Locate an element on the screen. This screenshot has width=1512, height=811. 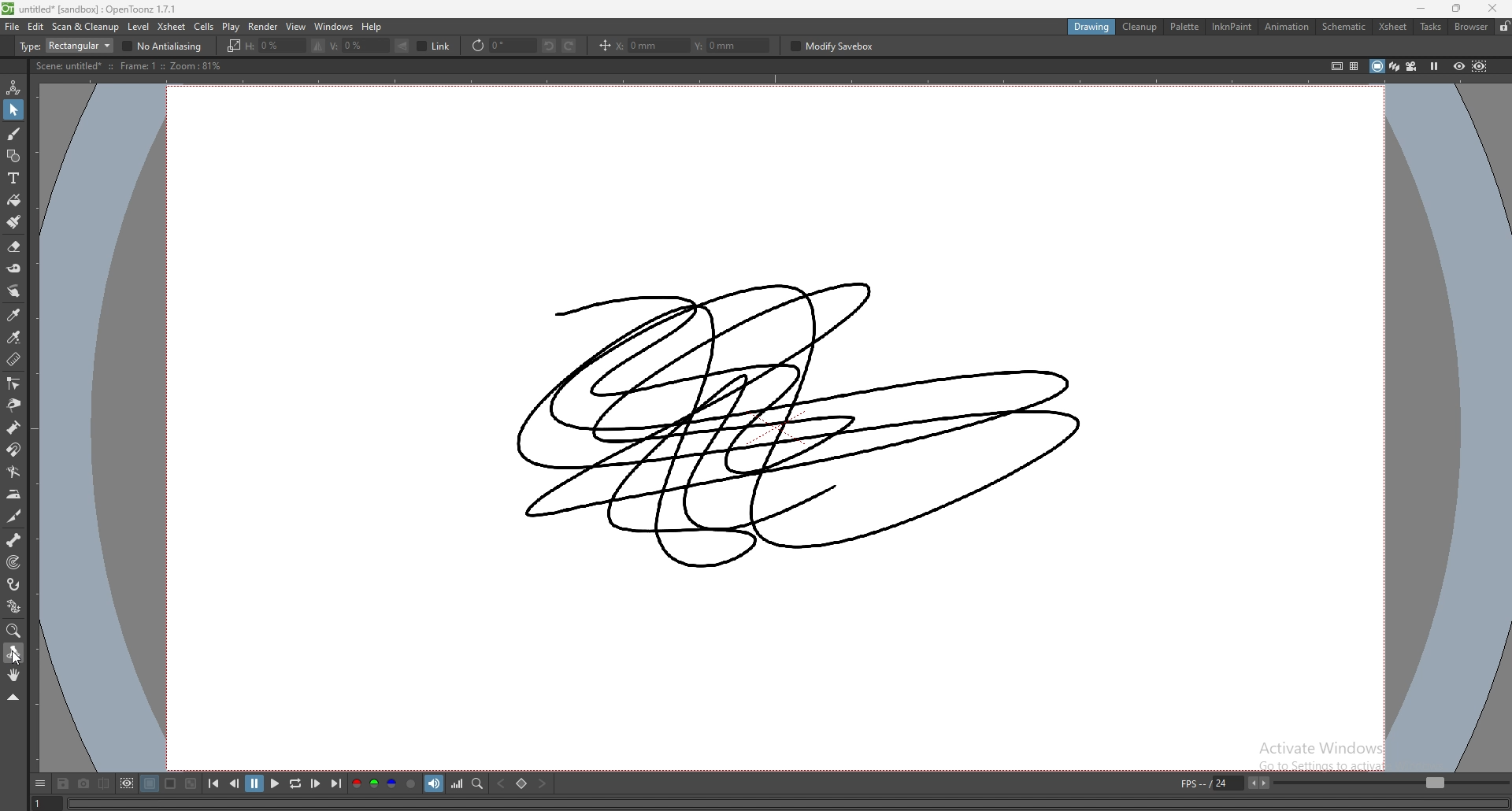
file is located at coordinates (12, 27).